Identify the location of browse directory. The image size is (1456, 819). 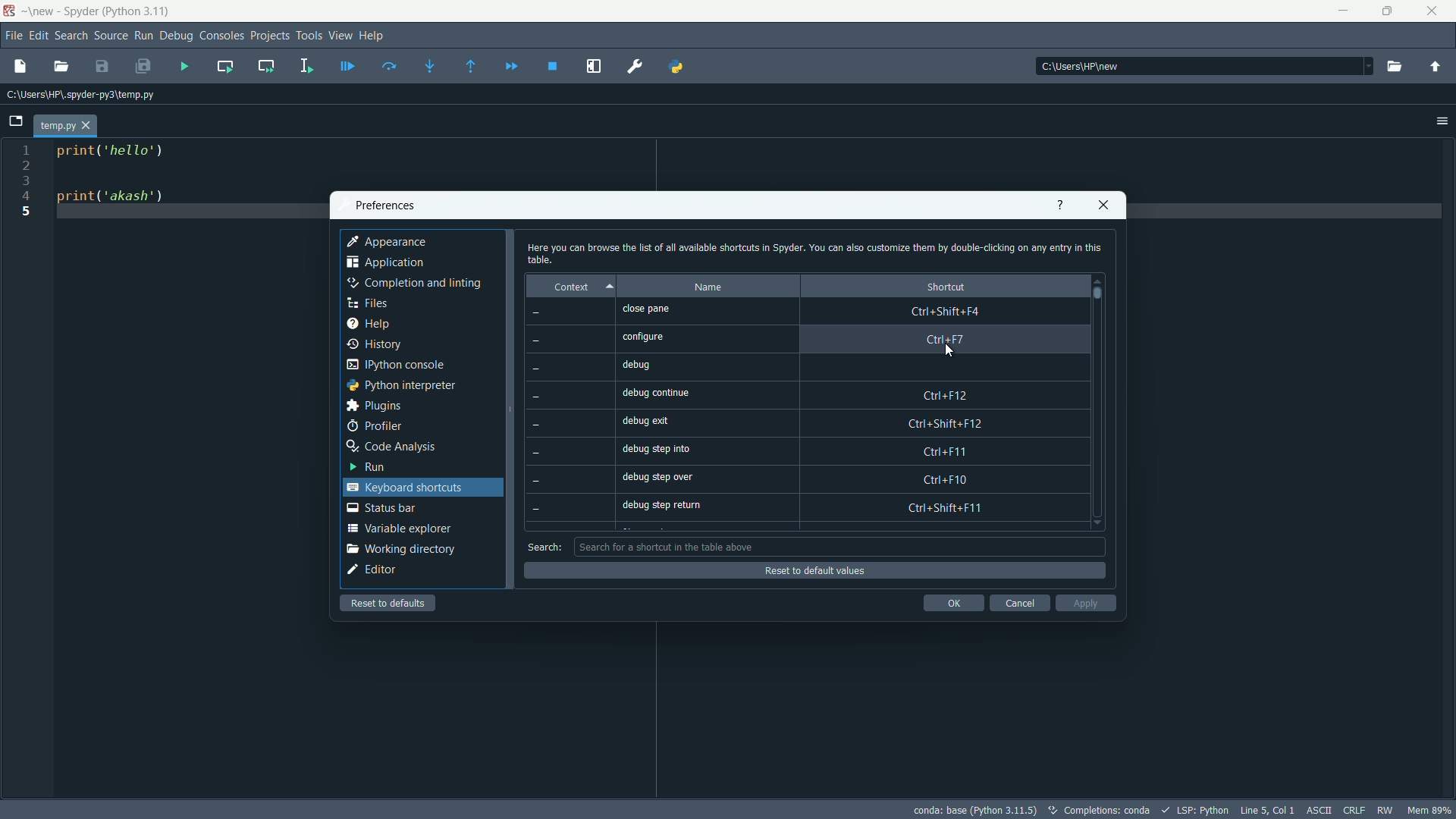
(1394, 67).